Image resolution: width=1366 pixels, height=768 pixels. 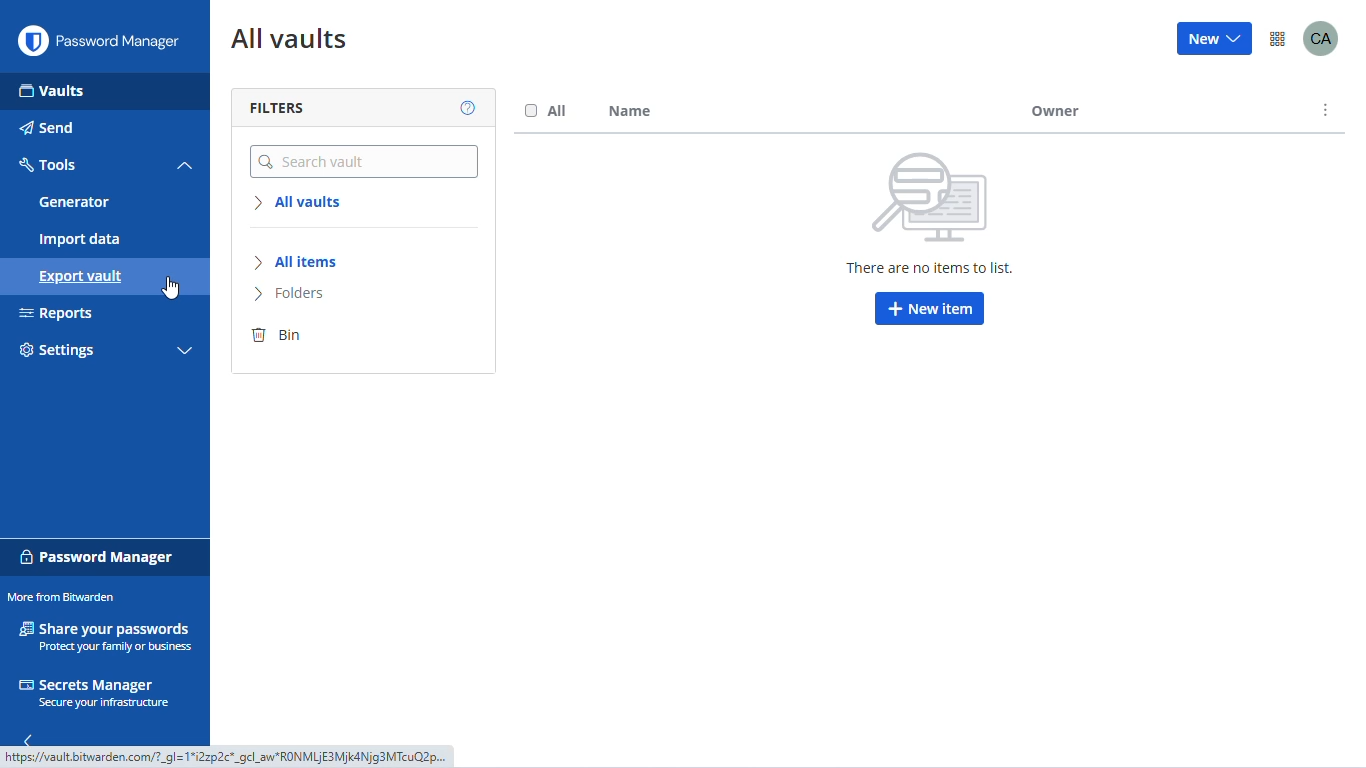 What do you see at coordinates (51, 91) in the screenshot?
I see `vaults` at bounding box center [51, 91].